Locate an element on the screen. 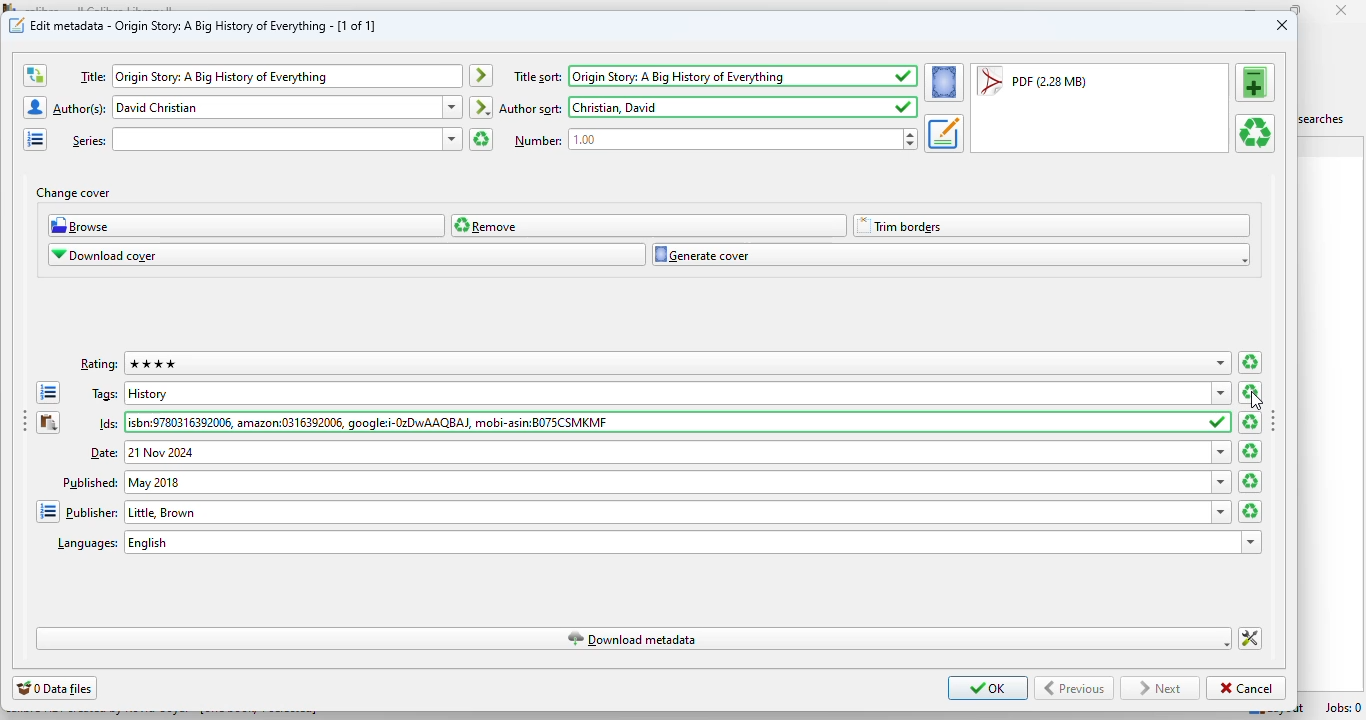 Image resolution: width=1366 pixels, height=720 pixels. increase or decrease numbers is located at coordinates (910, 138).